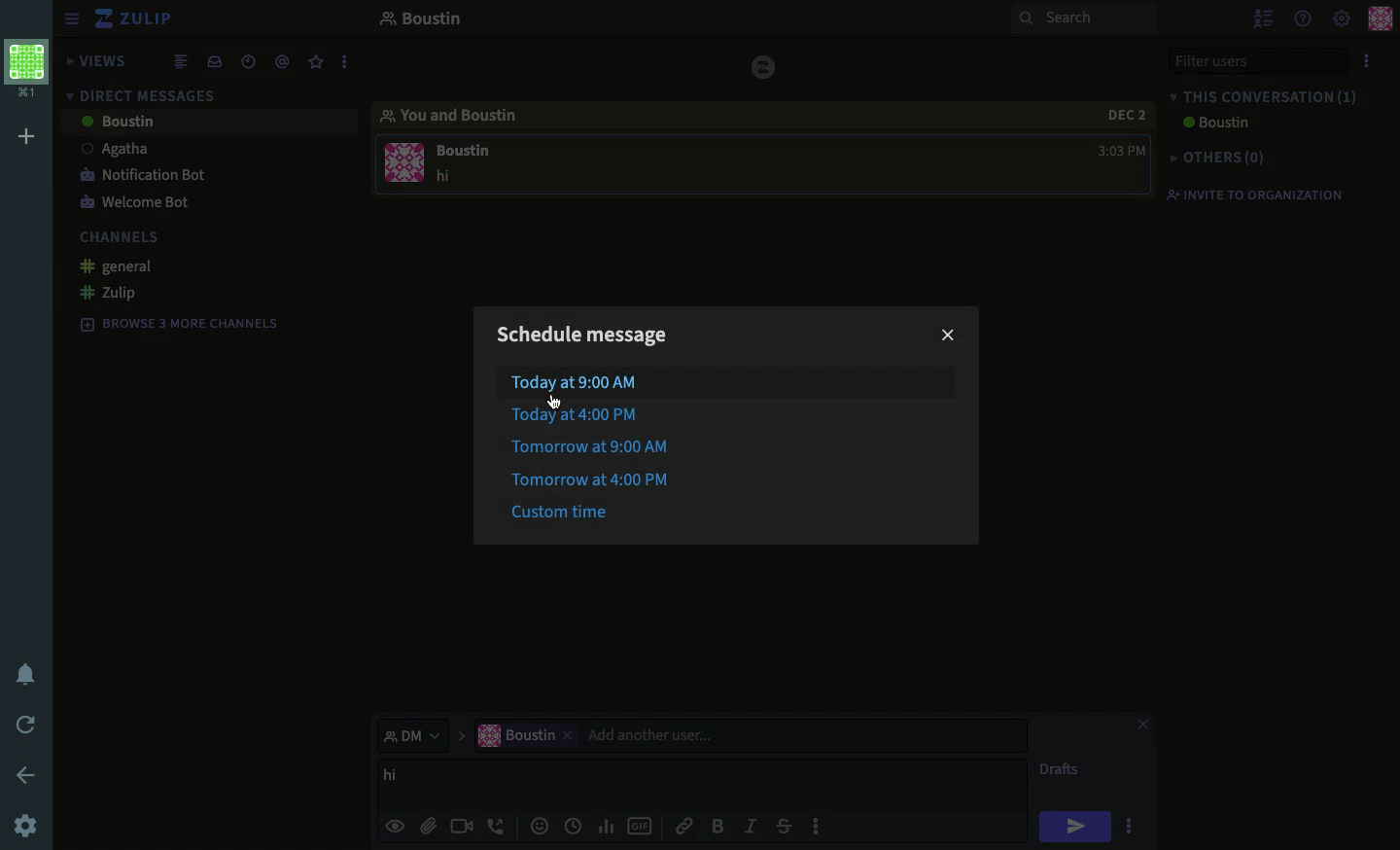  What do you see at coordinates (1077, 828) in the screenshot?
I see `hi` at bounding box center [1077, 828].